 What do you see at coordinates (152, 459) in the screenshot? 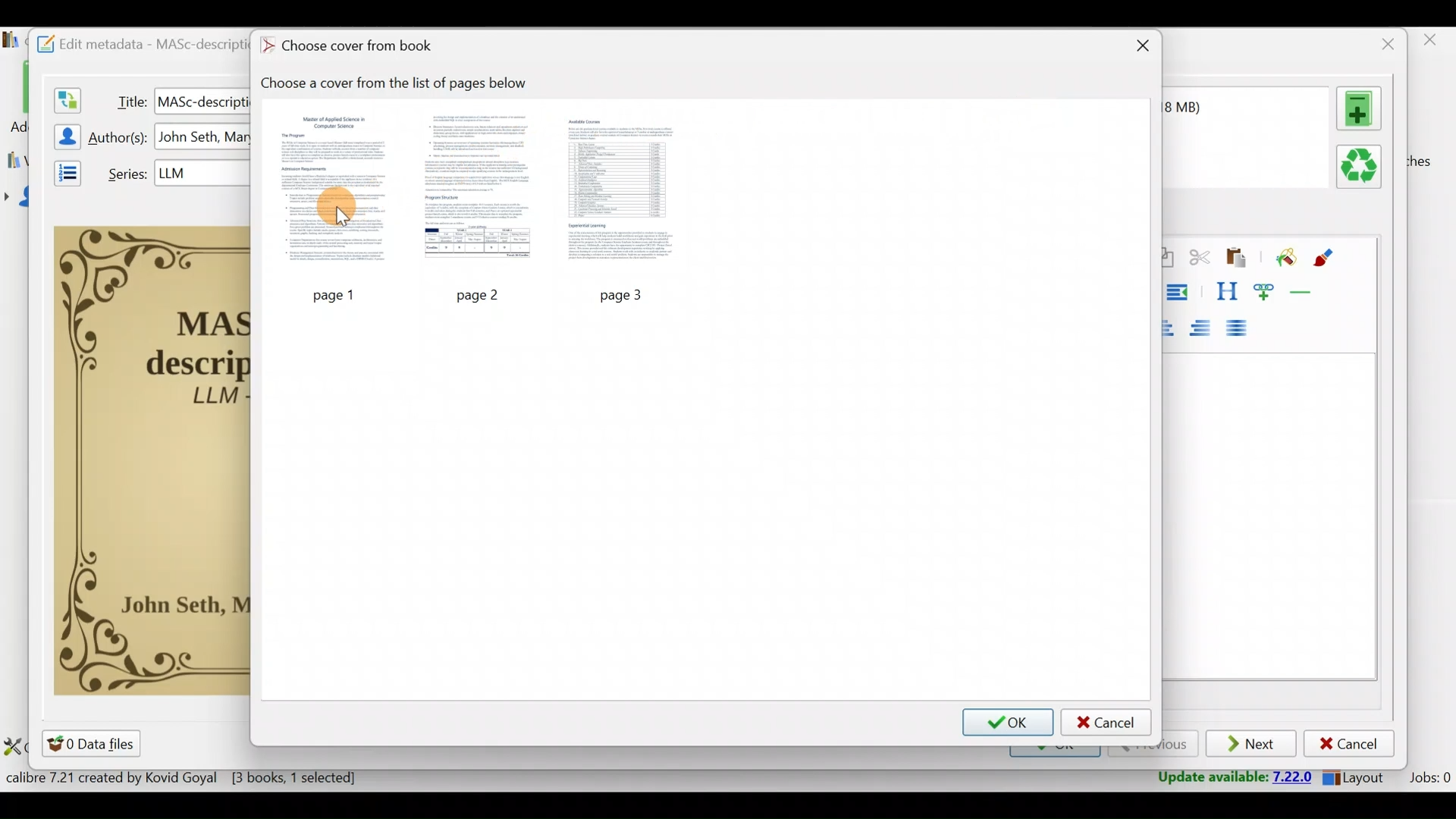
I see `Cover preview` at bounding box center [152, 459].